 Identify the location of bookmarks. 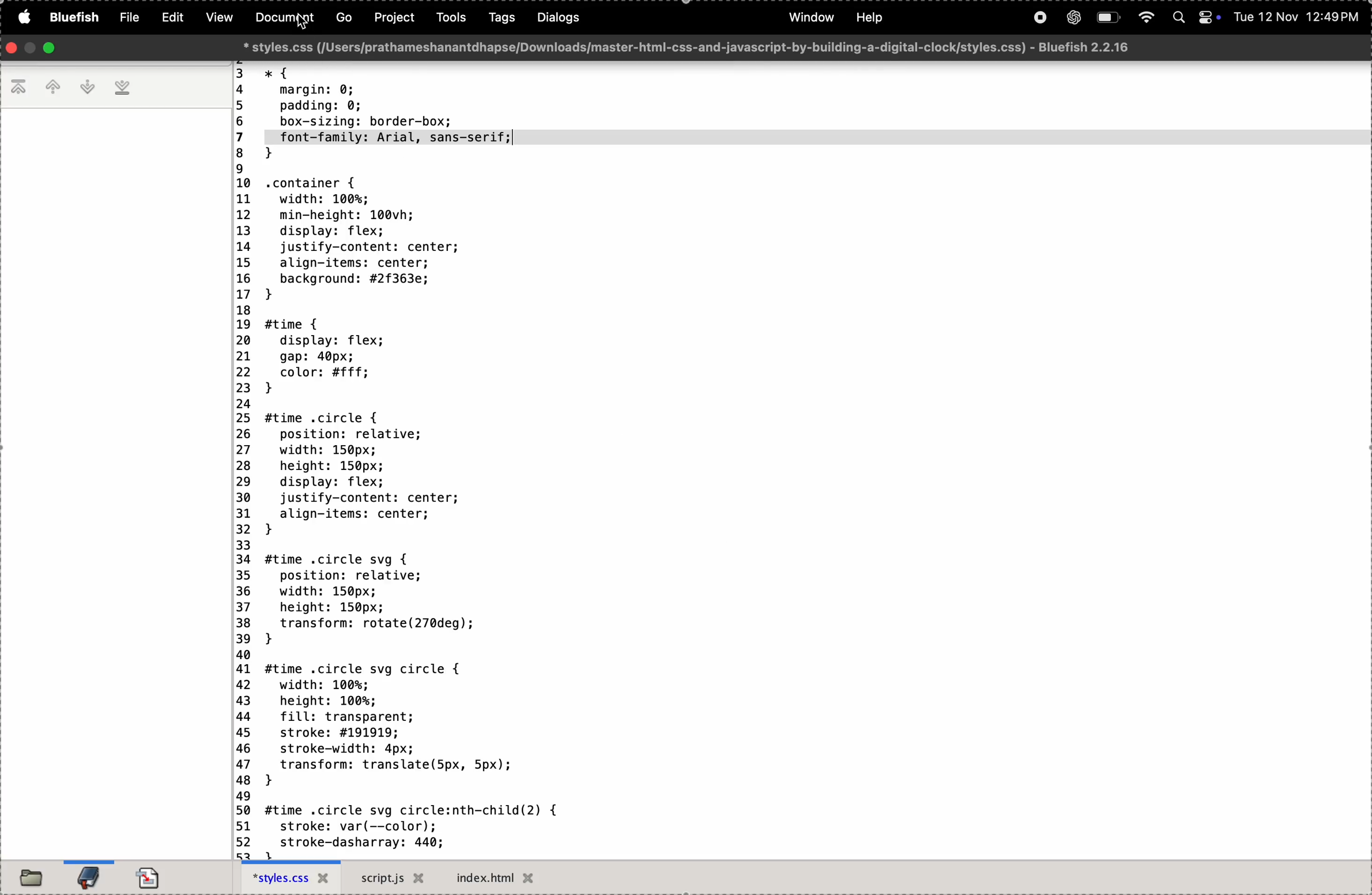
(87, 875).